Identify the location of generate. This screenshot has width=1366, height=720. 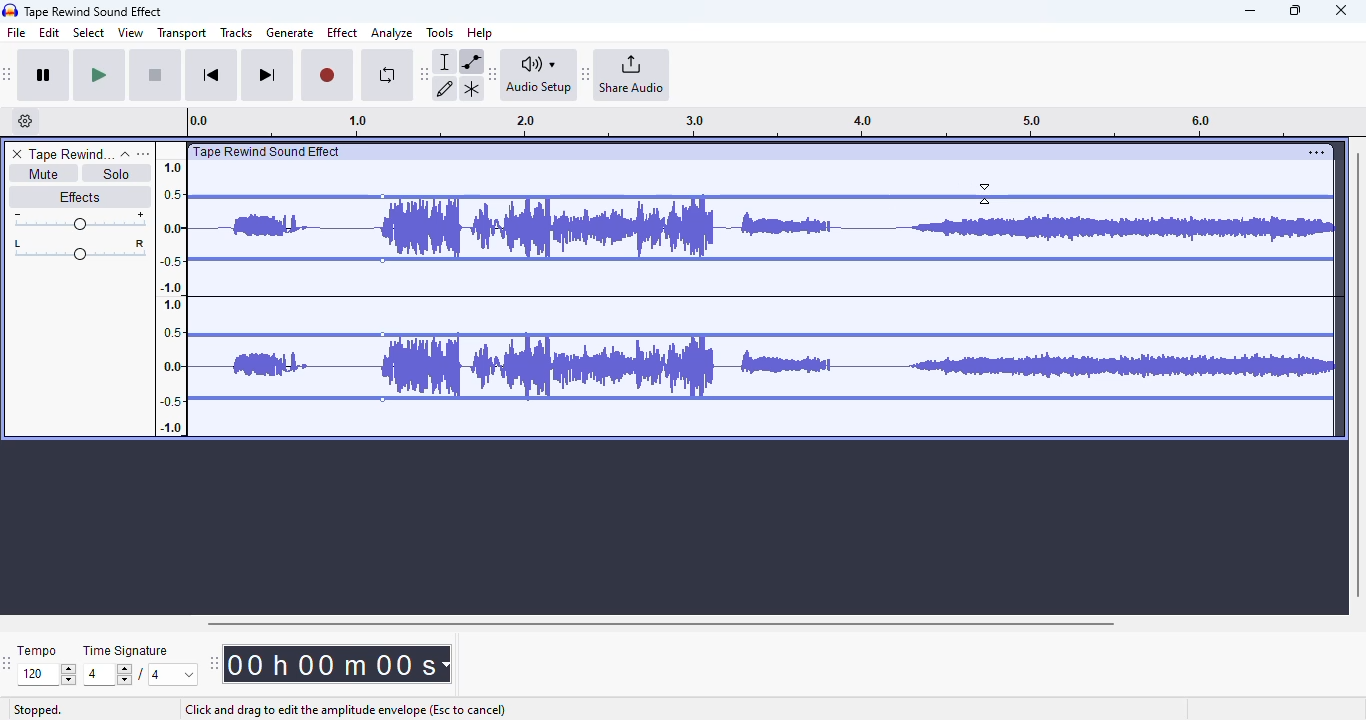
(290, 33).